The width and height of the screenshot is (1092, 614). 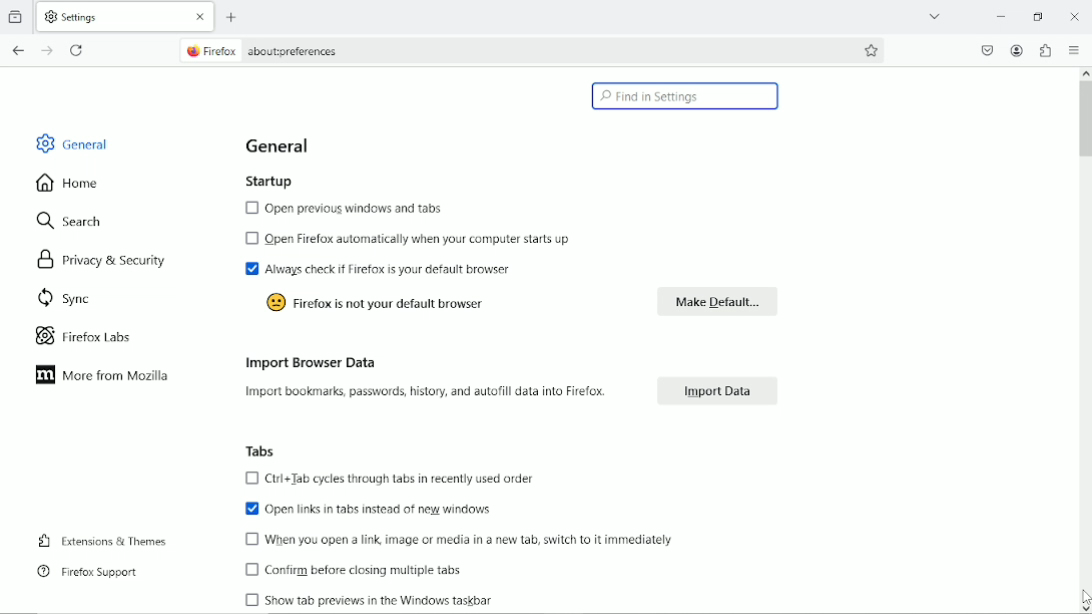 I want to click on General, so click(x=75, y=142).